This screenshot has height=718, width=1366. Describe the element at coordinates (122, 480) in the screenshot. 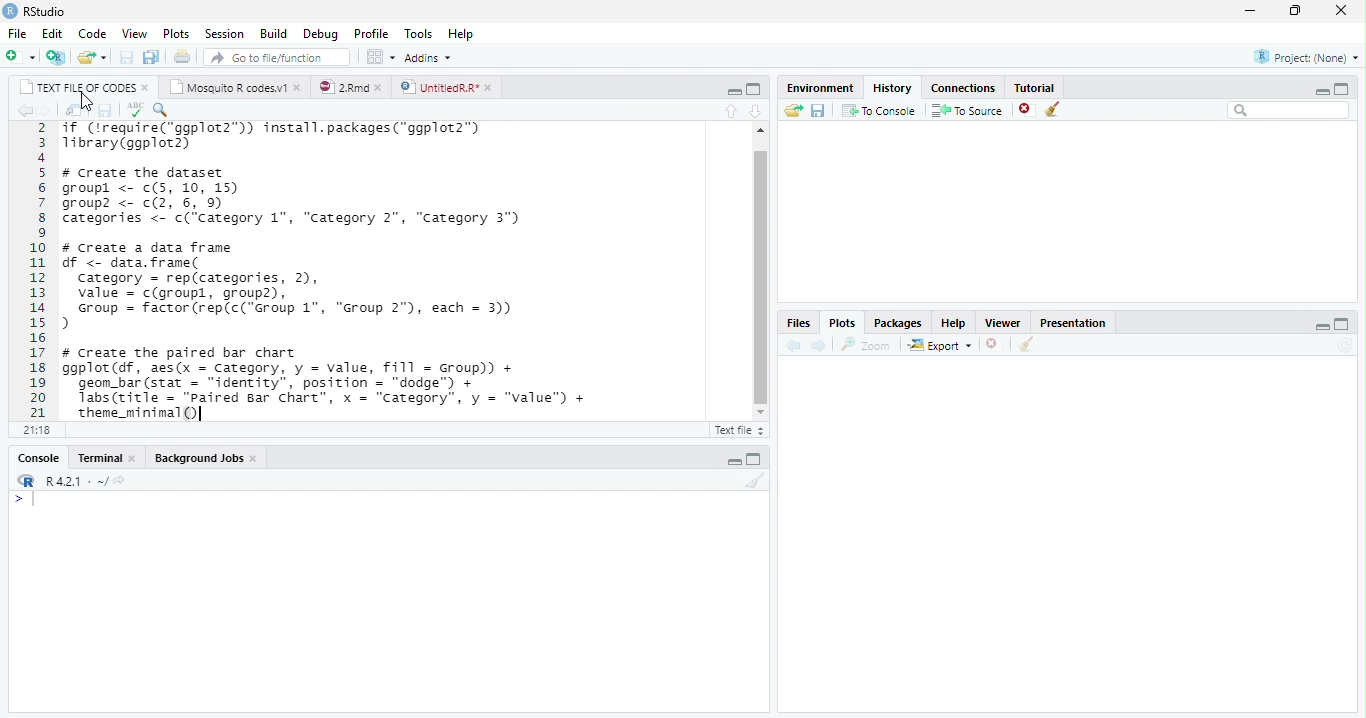

I see `share icon` at that location.